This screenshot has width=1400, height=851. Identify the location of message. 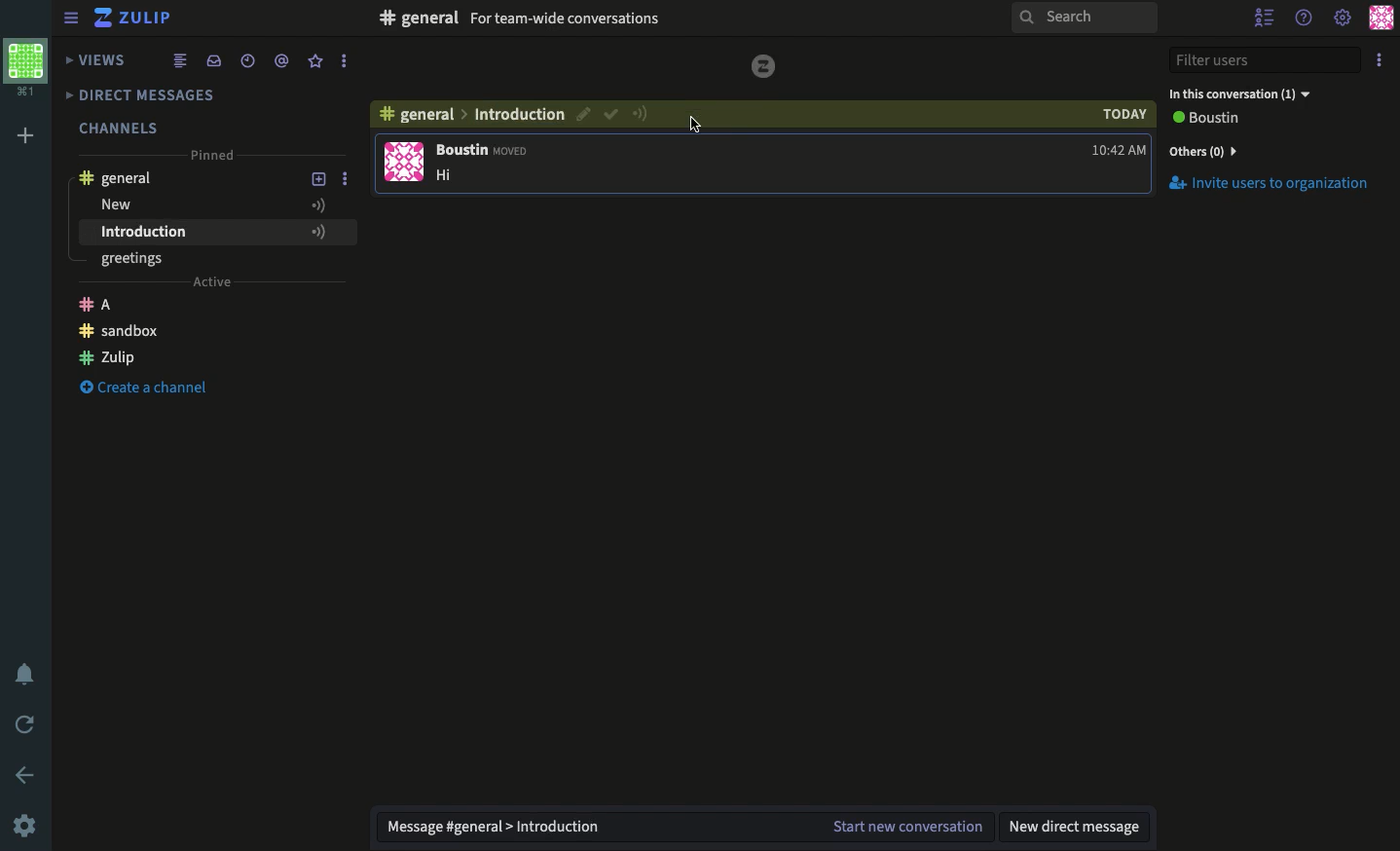
(450, 177).